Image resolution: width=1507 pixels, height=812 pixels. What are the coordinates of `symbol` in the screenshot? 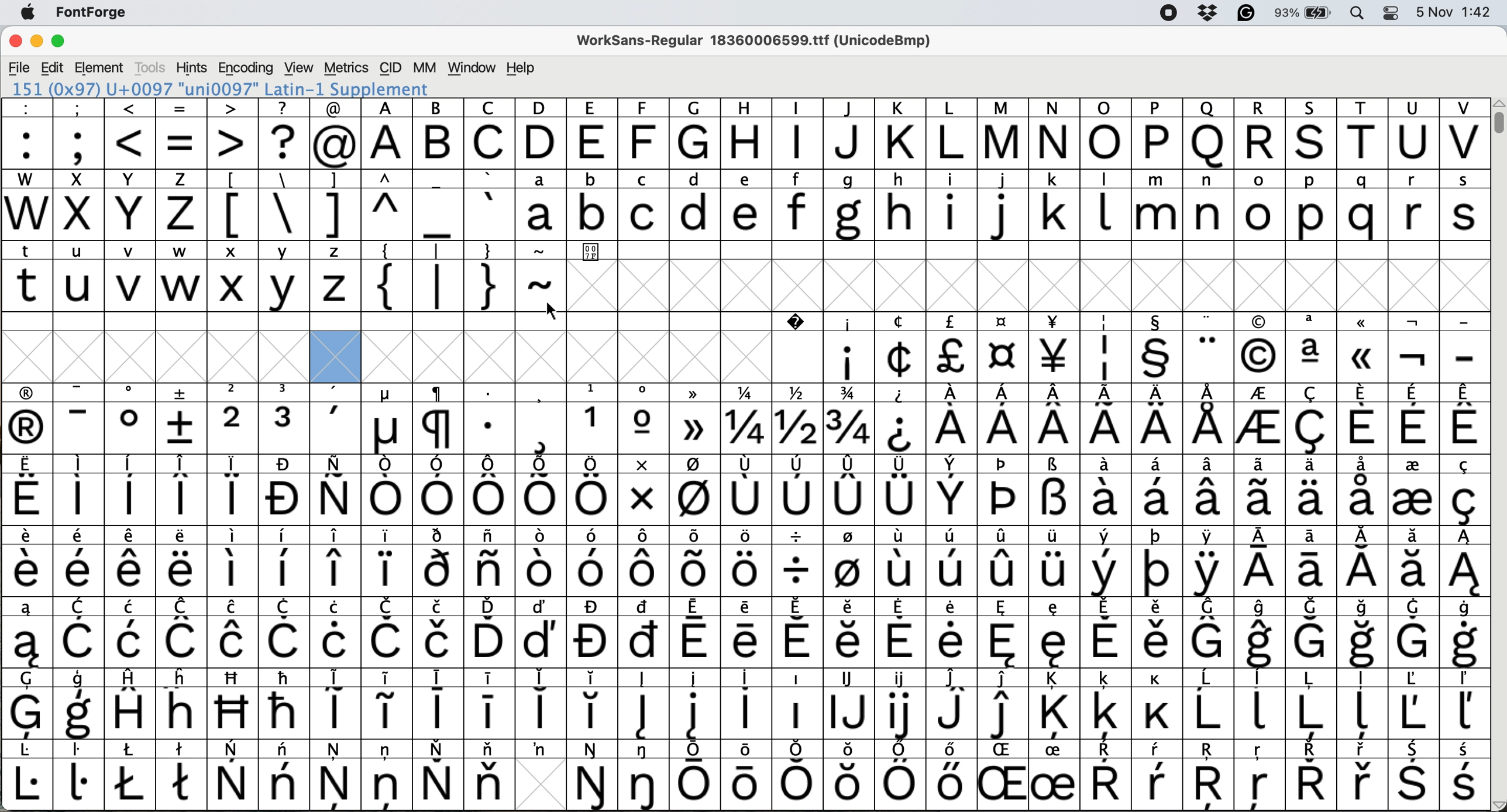 It's located at (848, 631).